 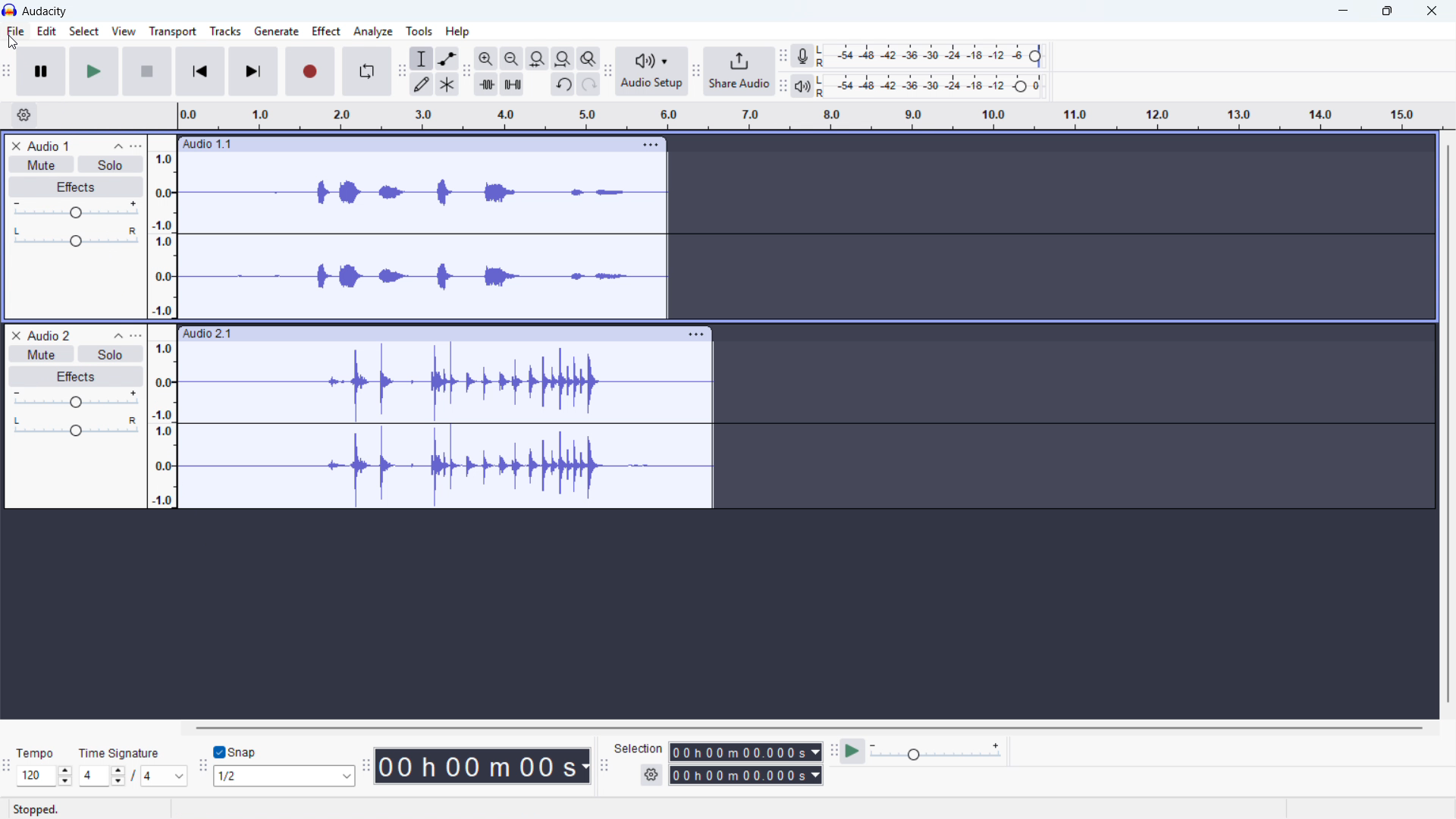 I want to click on Set time signature , so click(x=134, y=777).